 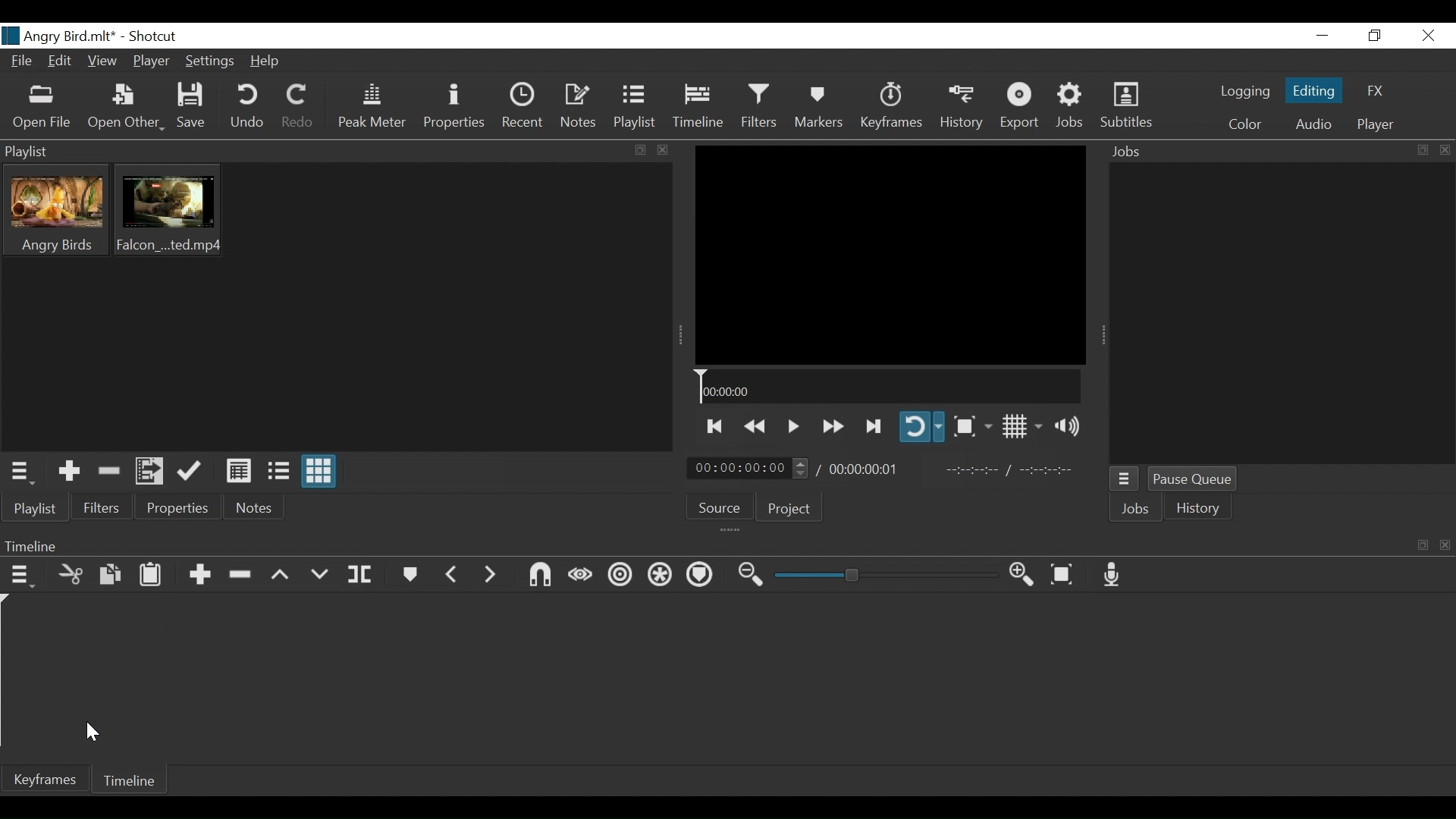 What do you see at coordinates (1068, 107) in the screenshot?
I see `Jobs` at bounding box center [1068, 107].